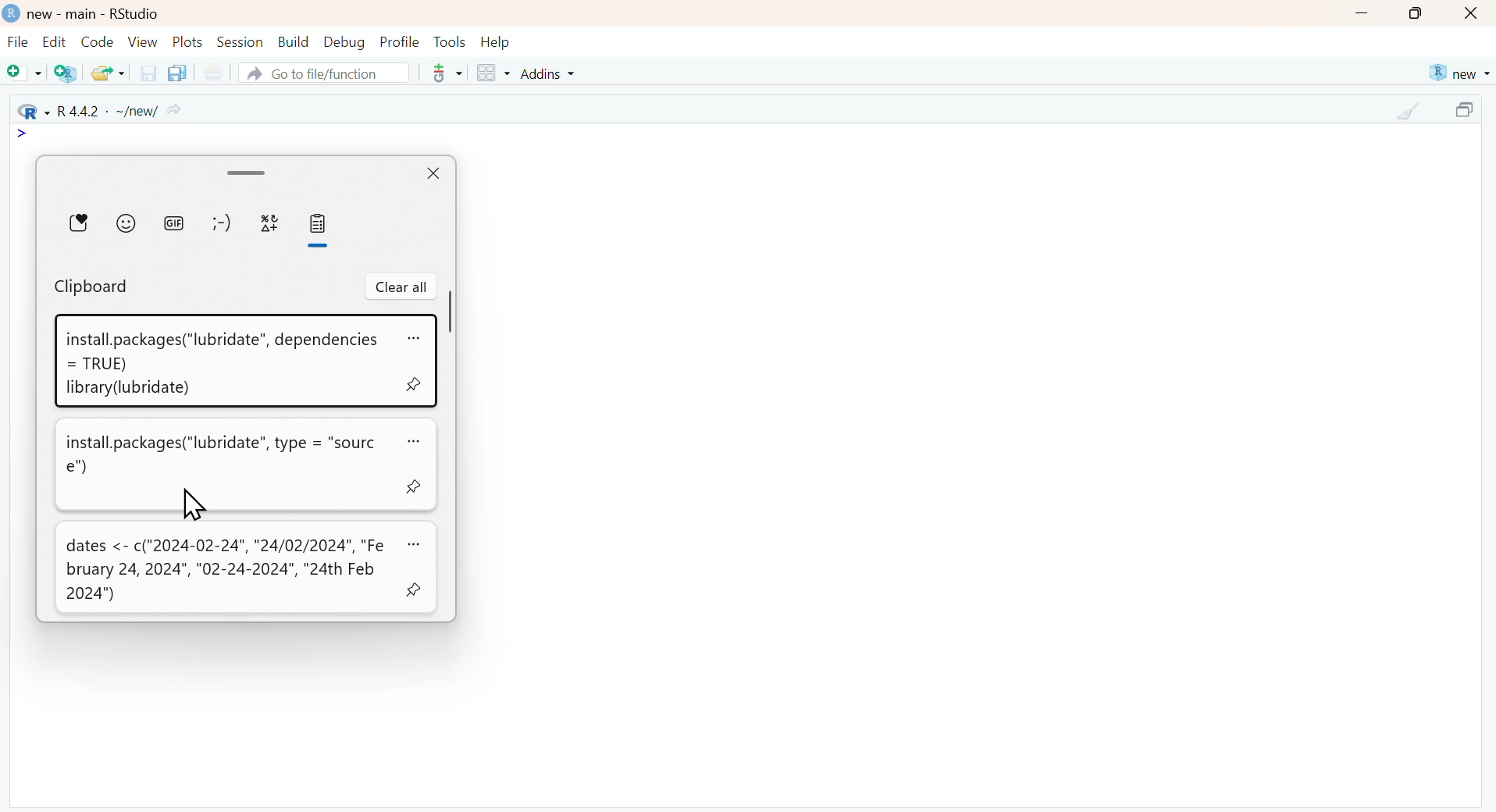  What do you see at coordinates (319, 224) in the screenshot?
I see `clipboard` at bounding box center [319, 224].